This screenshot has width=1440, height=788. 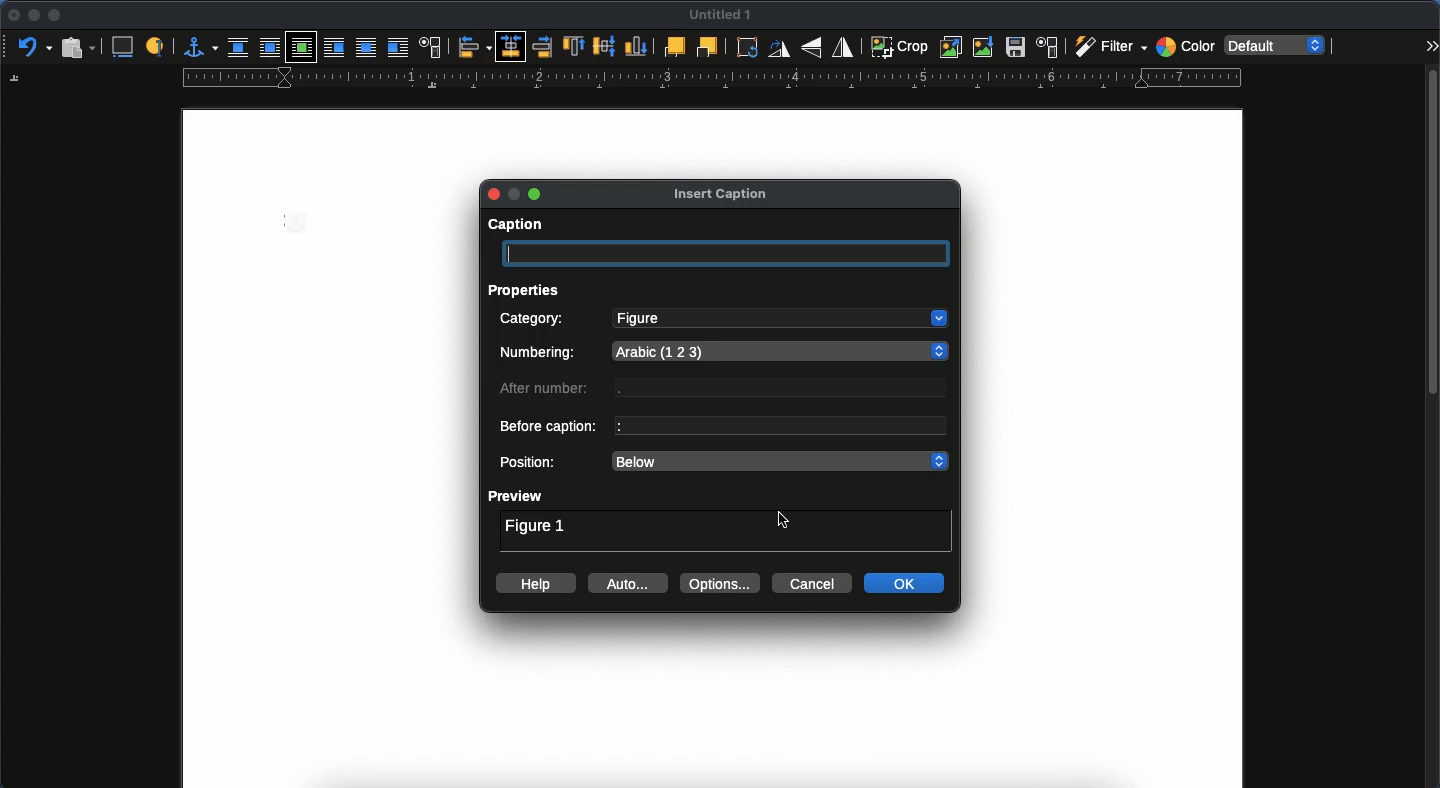 What do you see at coordinates (368, 47) in the screenshot?
I see `through` at bounding box center [368, 47].